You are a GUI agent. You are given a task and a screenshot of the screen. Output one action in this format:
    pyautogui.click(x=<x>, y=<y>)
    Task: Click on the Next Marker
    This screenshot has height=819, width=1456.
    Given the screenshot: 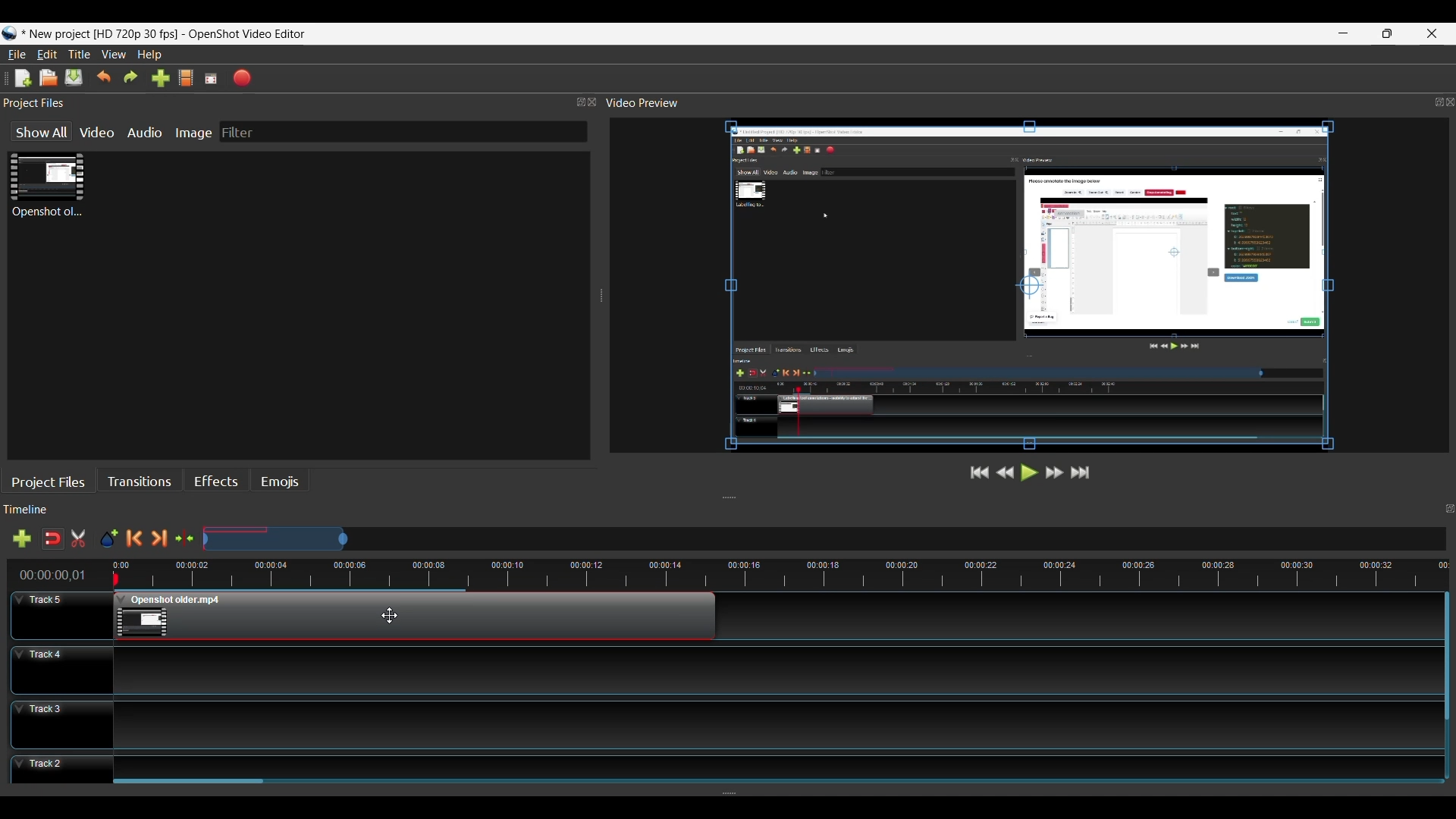 What is the action you would take?
    pyautogui.click(x=158, y=539)
    